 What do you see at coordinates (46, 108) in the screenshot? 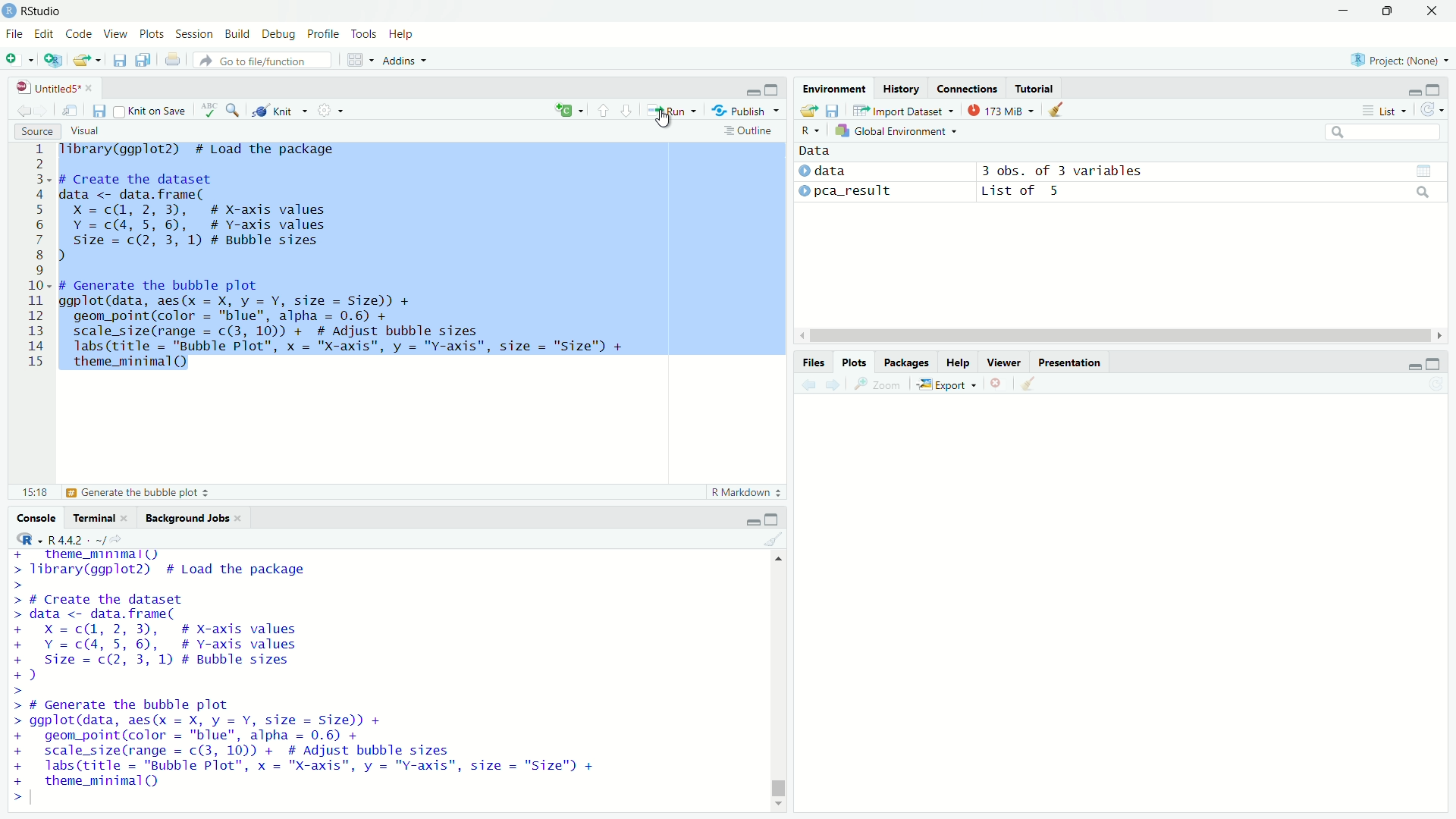
I see `go forward` at bounding box center [46, 108].